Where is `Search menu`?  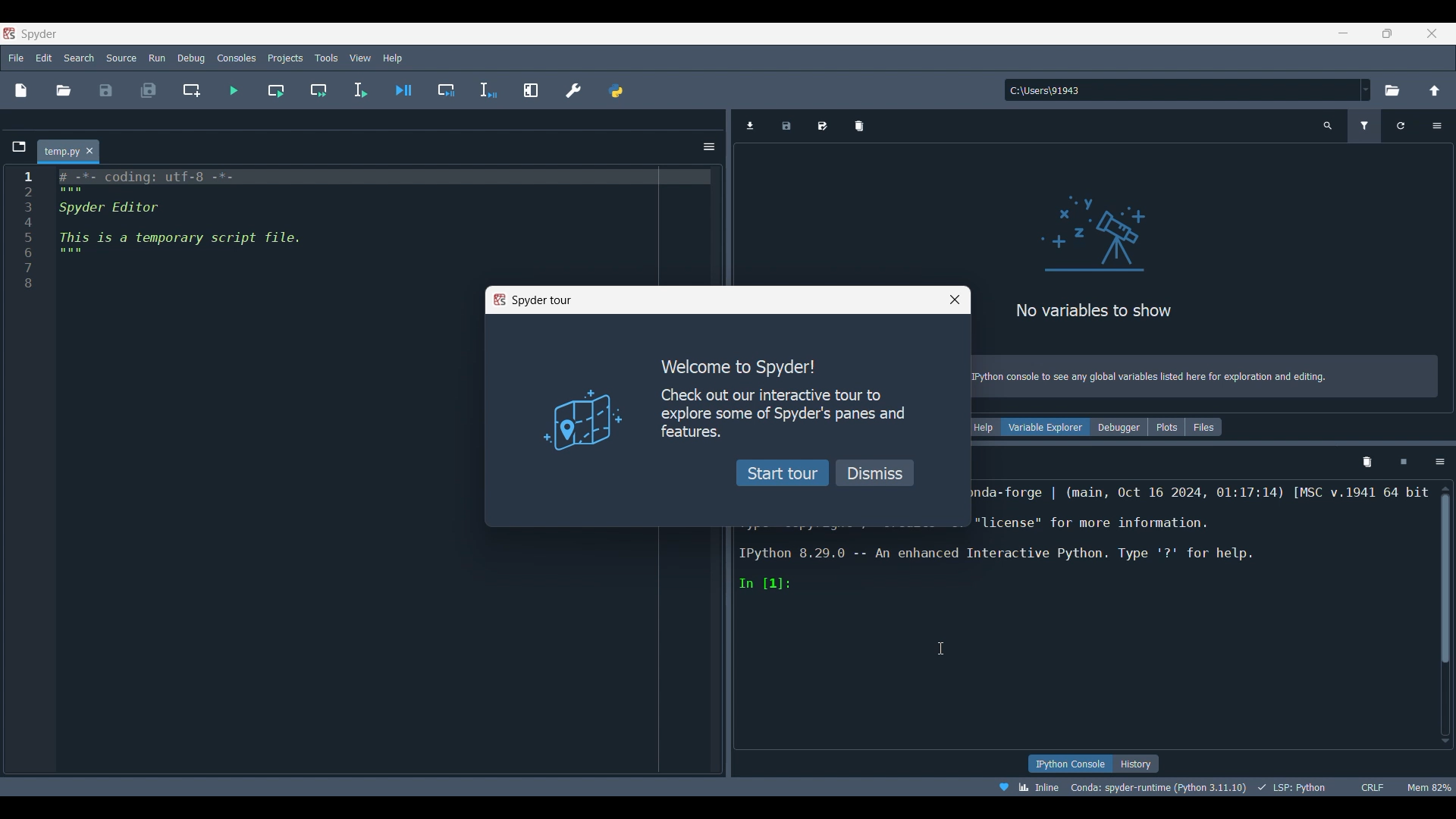
Search menu is located at coordinates (79, 58).